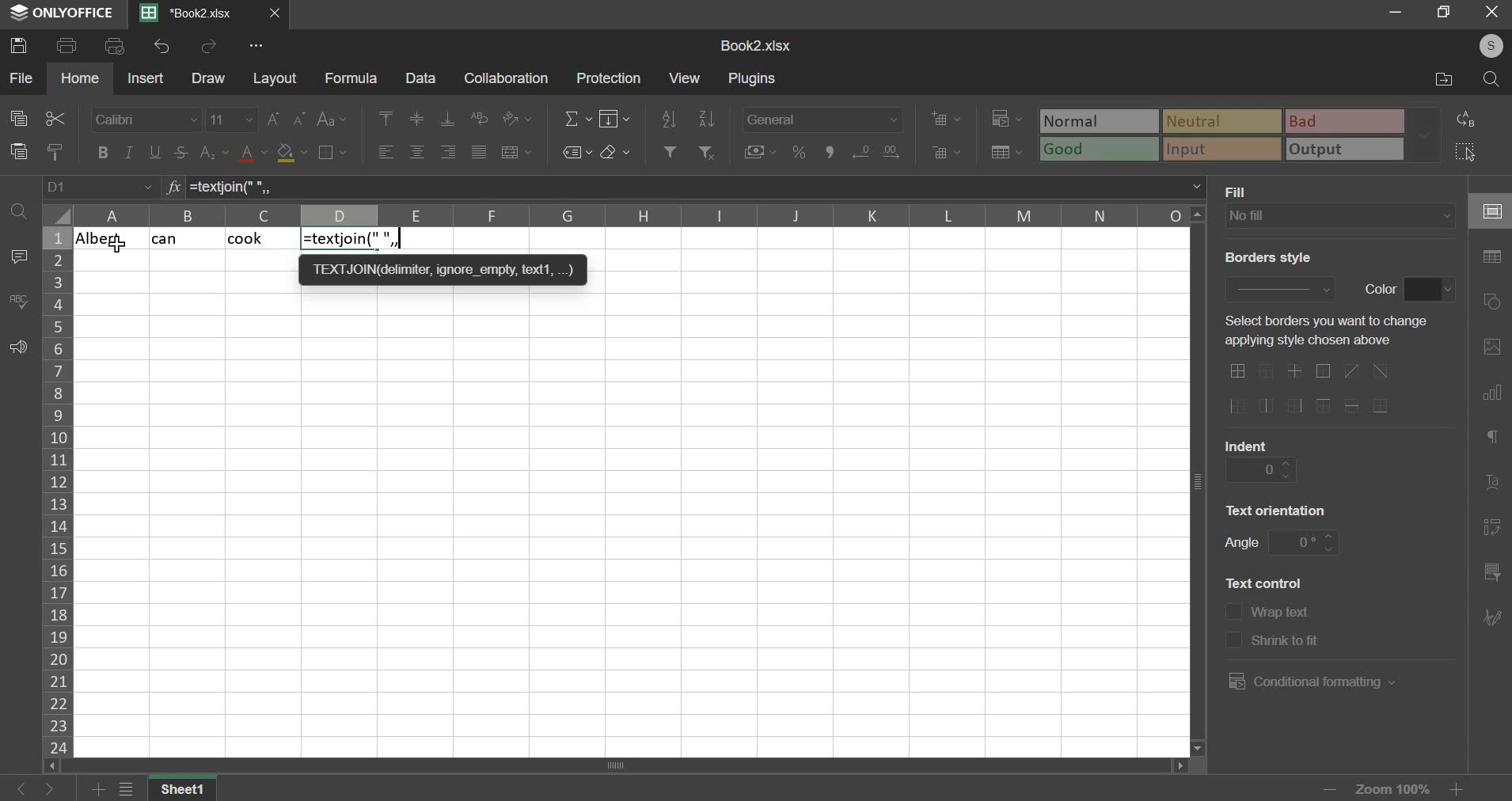 The image size is (1512, 801). What do you see at coordinates (1442, 81) in the screenshot?
I see `file location` at bounding box center [1442, 81].